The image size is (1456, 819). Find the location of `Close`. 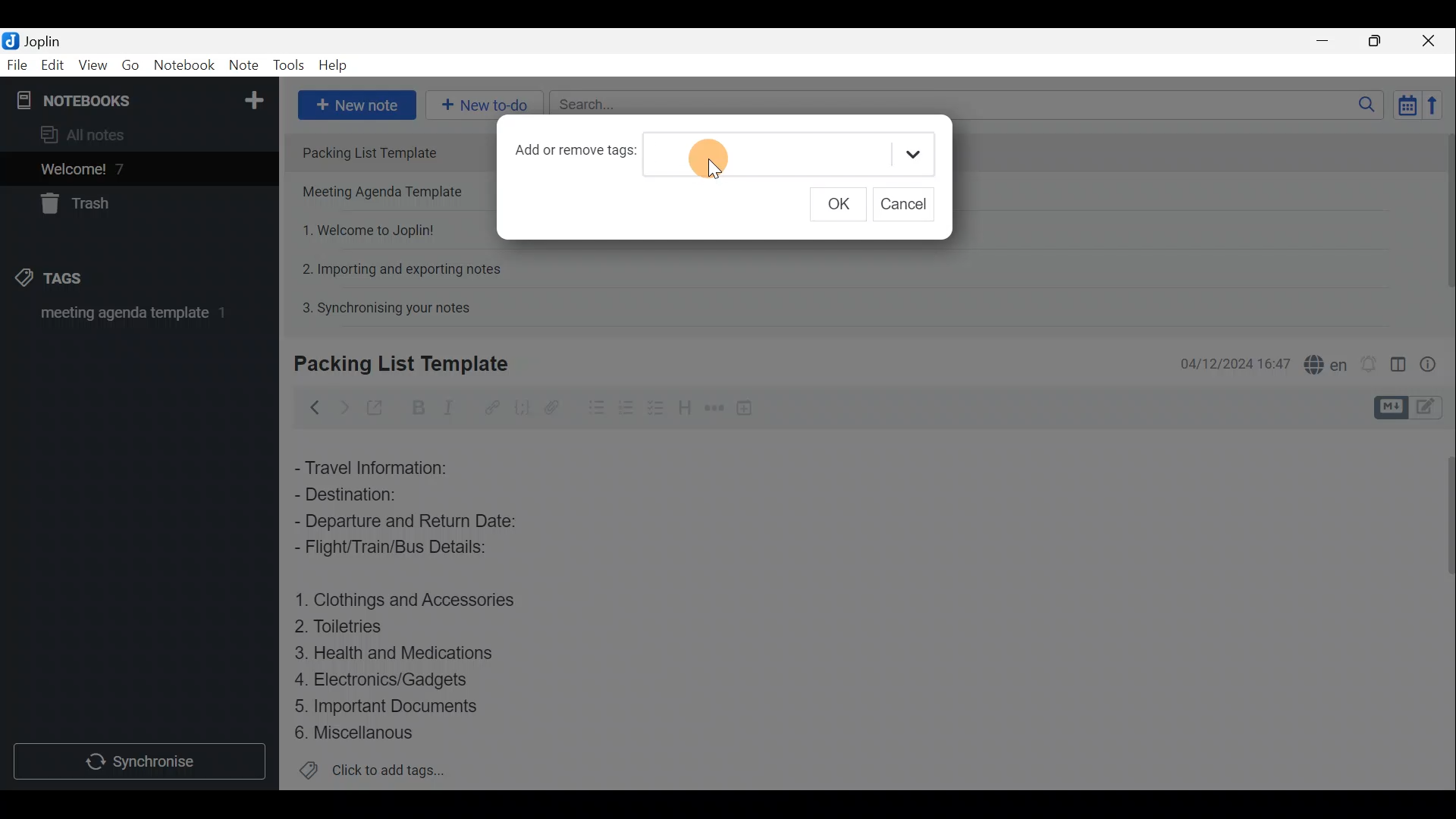

Close is located at coordinates (1433, 40).